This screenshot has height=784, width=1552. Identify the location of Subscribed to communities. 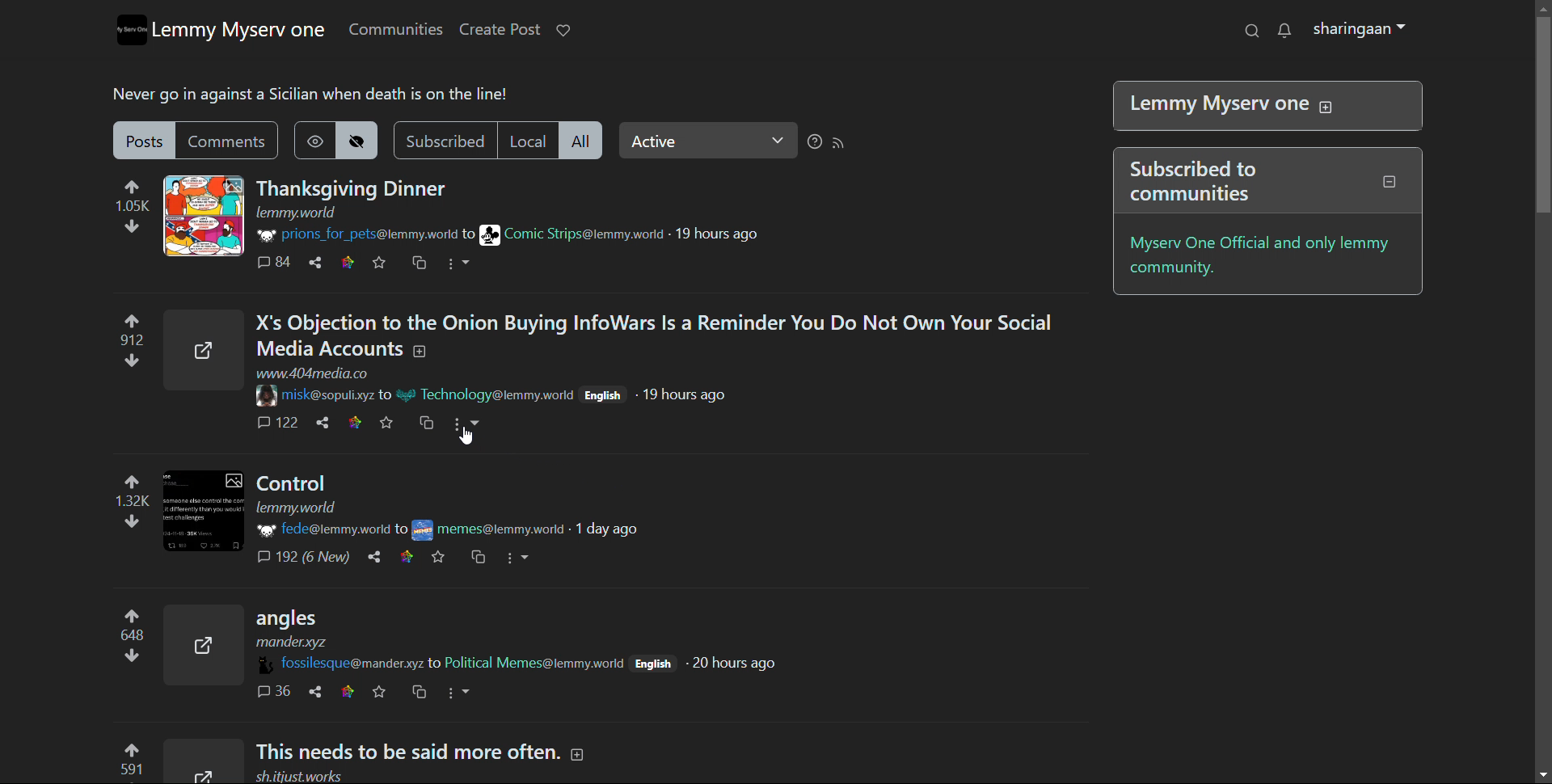
(1264, 182).